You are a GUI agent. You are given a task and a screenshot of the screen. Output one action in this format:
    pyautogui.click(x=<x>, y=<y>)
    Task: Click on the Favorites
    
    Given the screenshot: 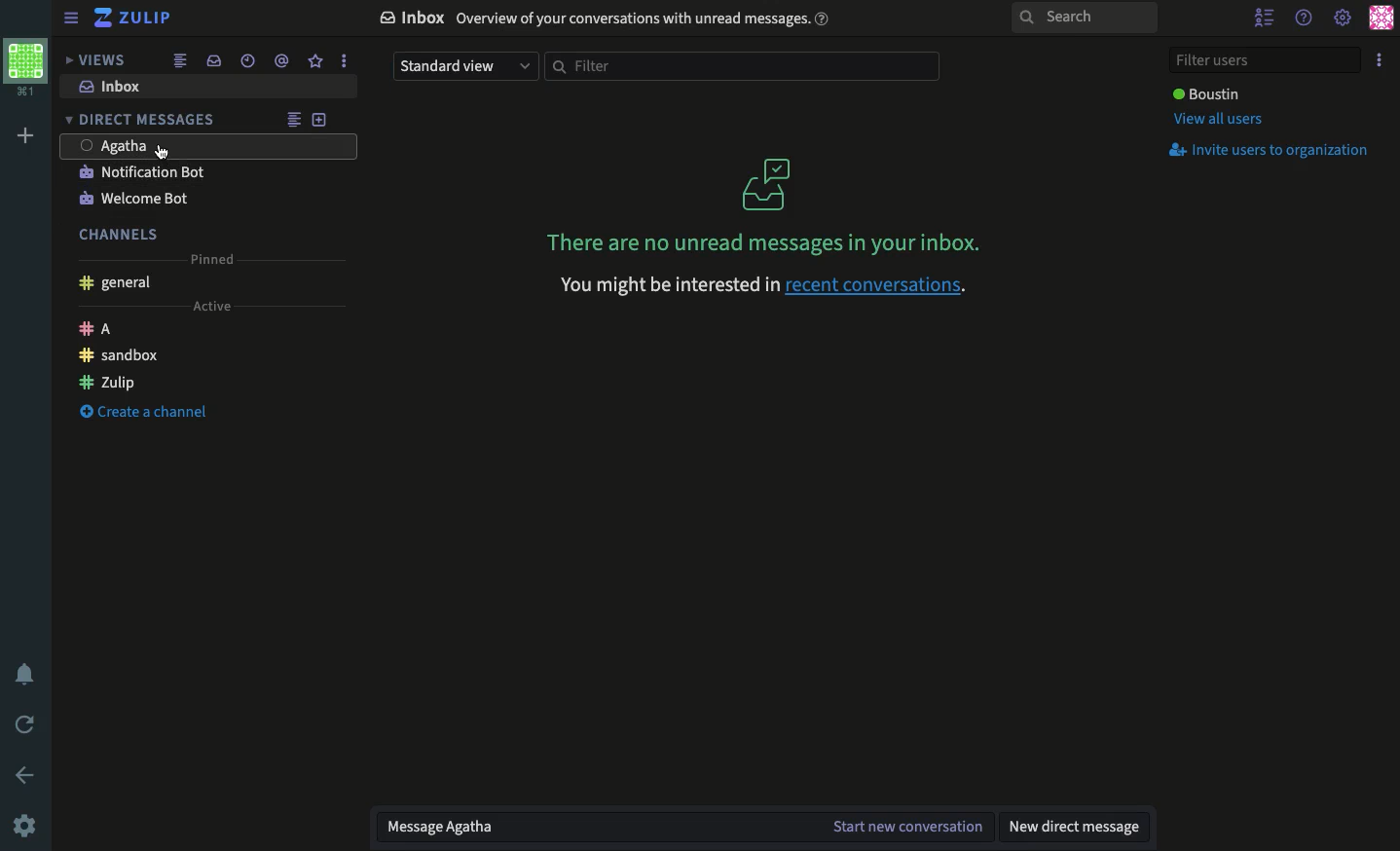 What is the action you would take?
    pyautogui.click(x=318, y=59)
    